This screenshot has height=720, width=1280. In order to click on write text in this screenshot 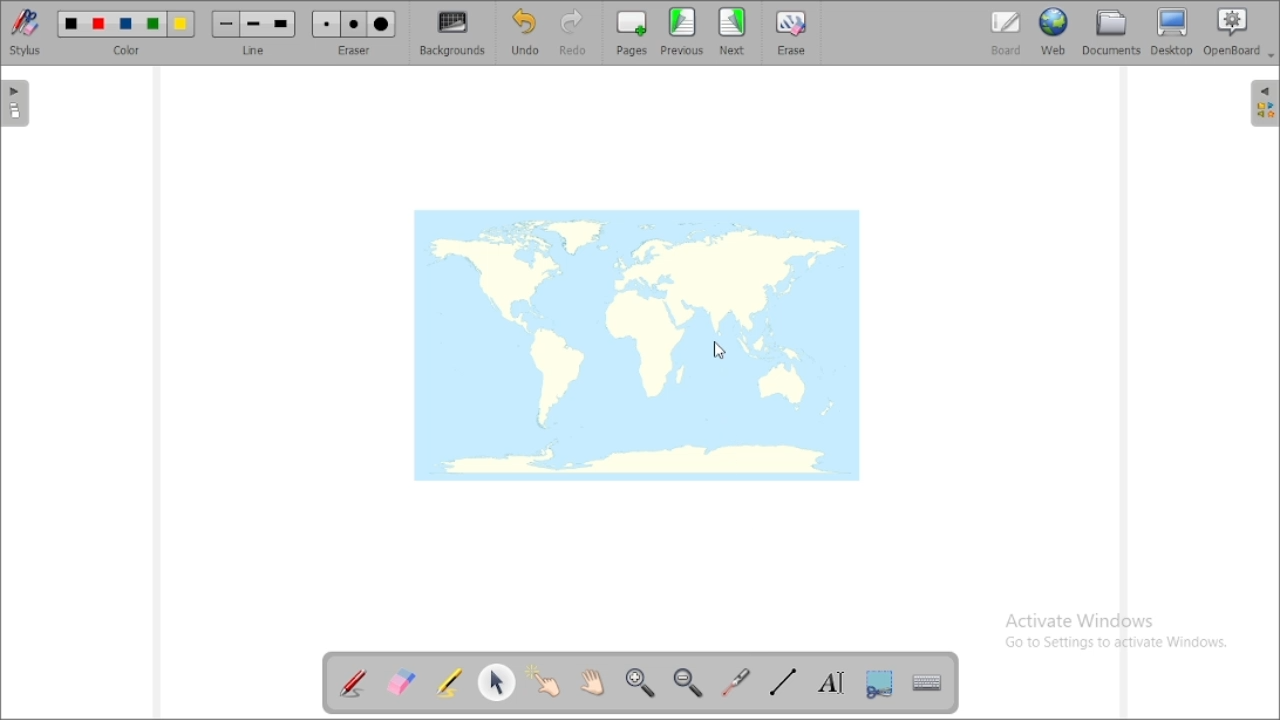, I will do `click(832, 683)`.